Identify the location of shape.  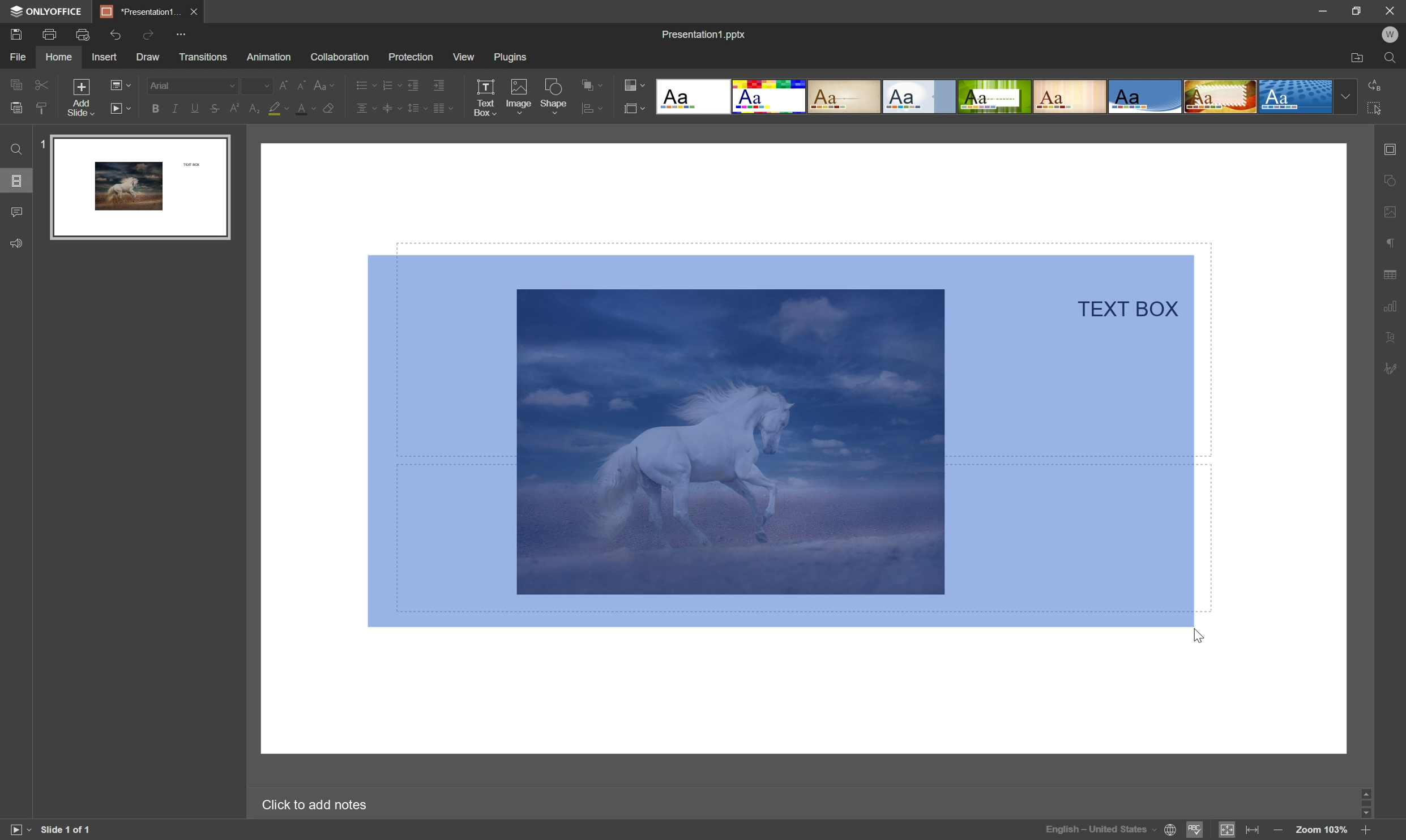
(554, 96).